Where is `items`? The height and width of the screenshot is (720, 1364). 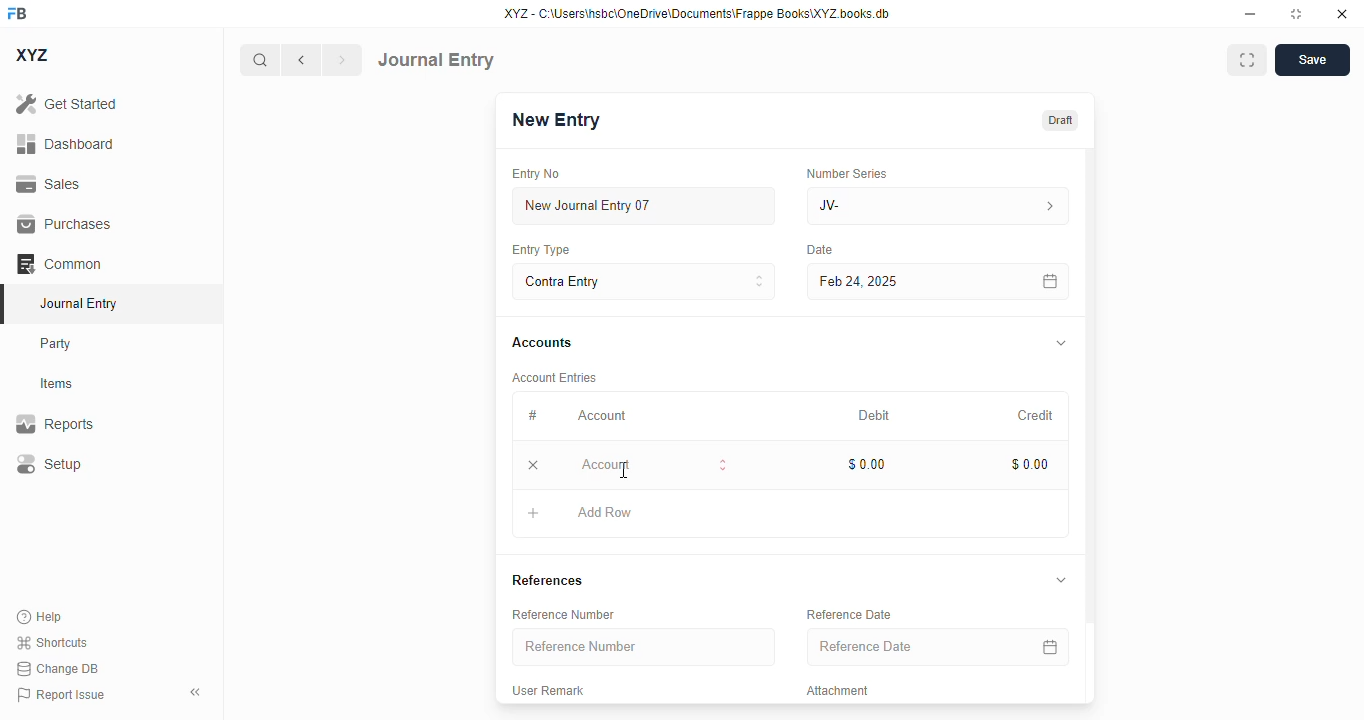 items is located at coordinates (57, 384).